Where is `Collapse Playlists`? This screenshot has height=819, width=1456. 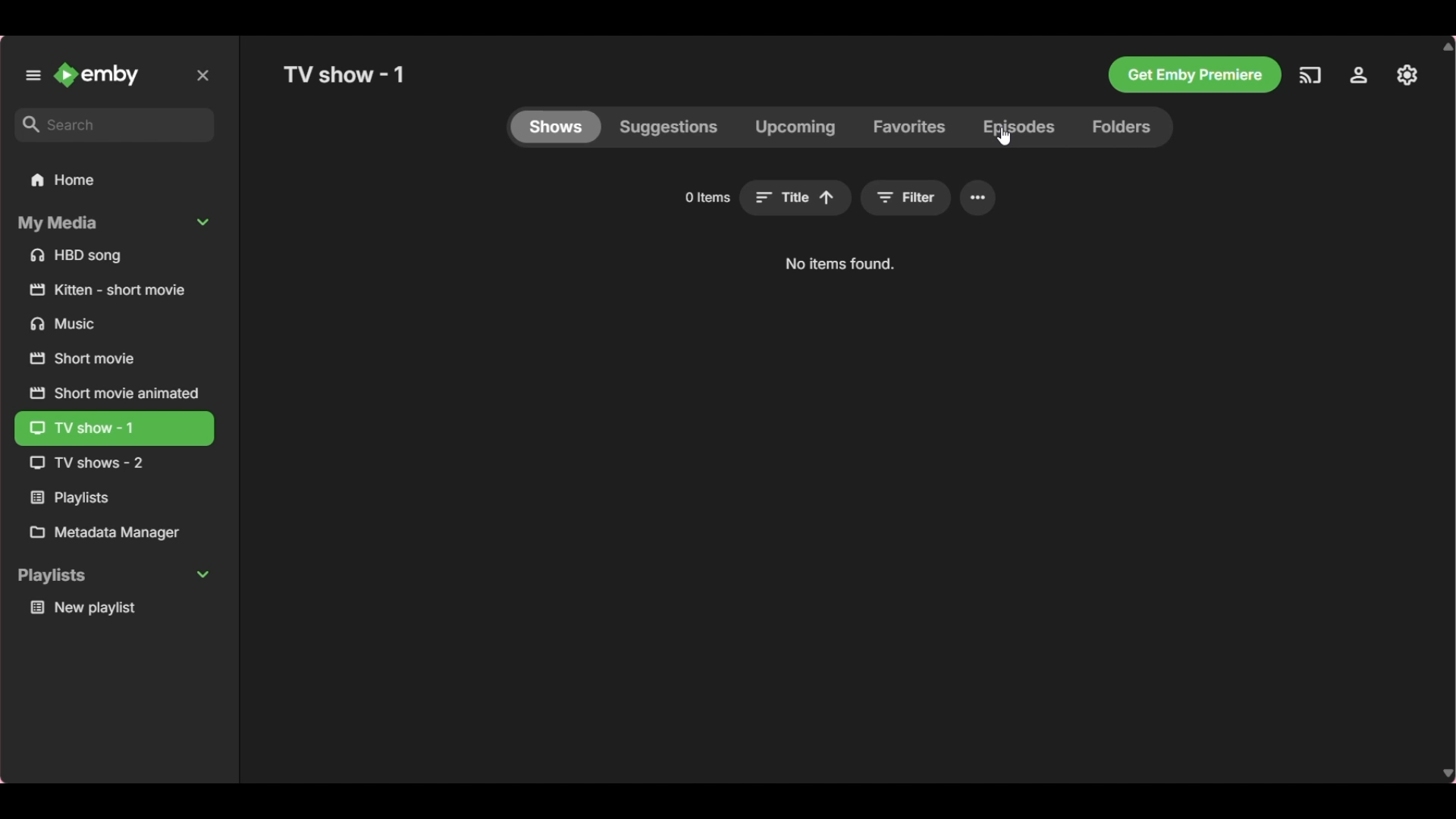
Collapse Playlists is located at coordinates (114, 577).